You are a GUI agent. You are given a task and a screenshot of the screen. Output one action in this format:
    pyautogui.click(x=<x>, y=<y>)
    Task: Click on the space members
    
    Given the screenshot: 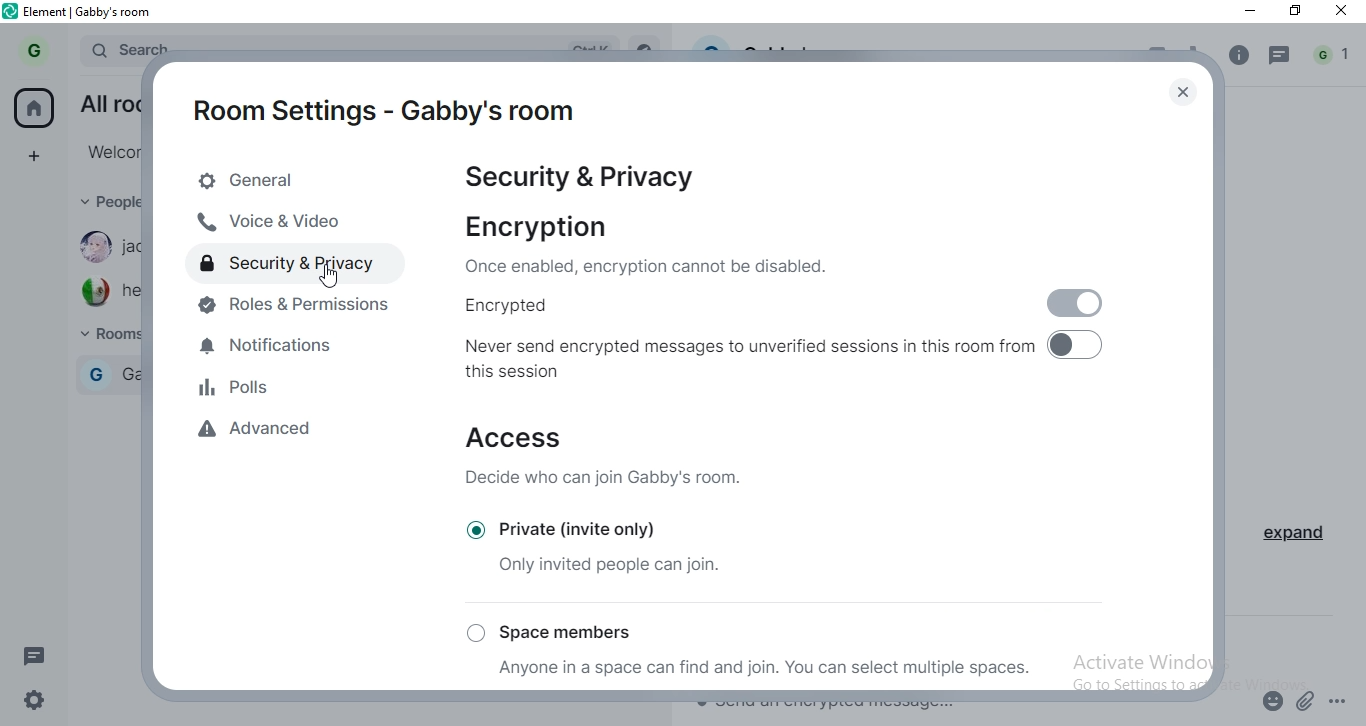 What is the action you would take?
    pyautogui.click(x=556, y=632)
    